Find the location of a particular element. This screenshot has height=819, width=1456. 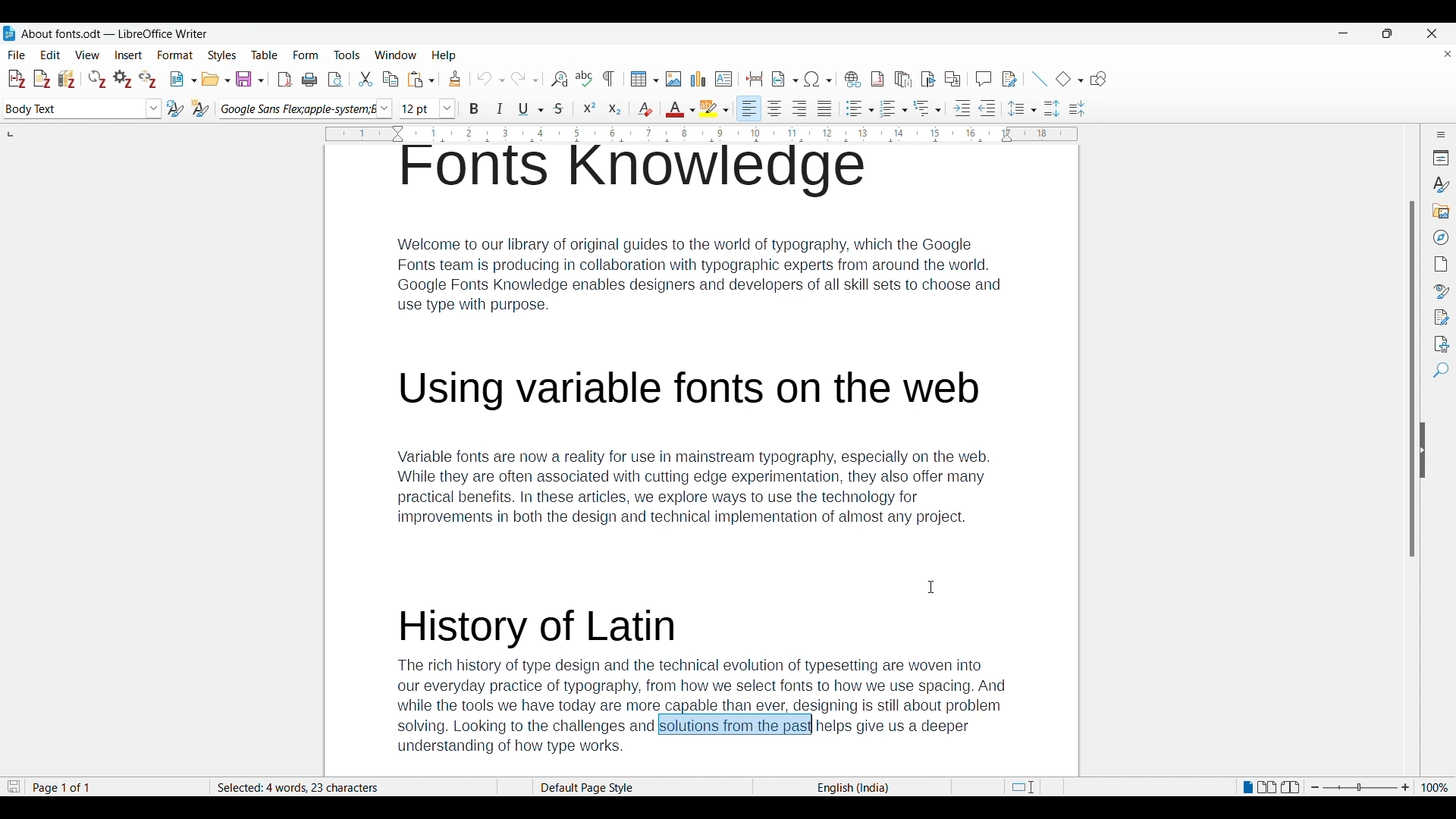

Close document is located at coordinates (1448, 53).